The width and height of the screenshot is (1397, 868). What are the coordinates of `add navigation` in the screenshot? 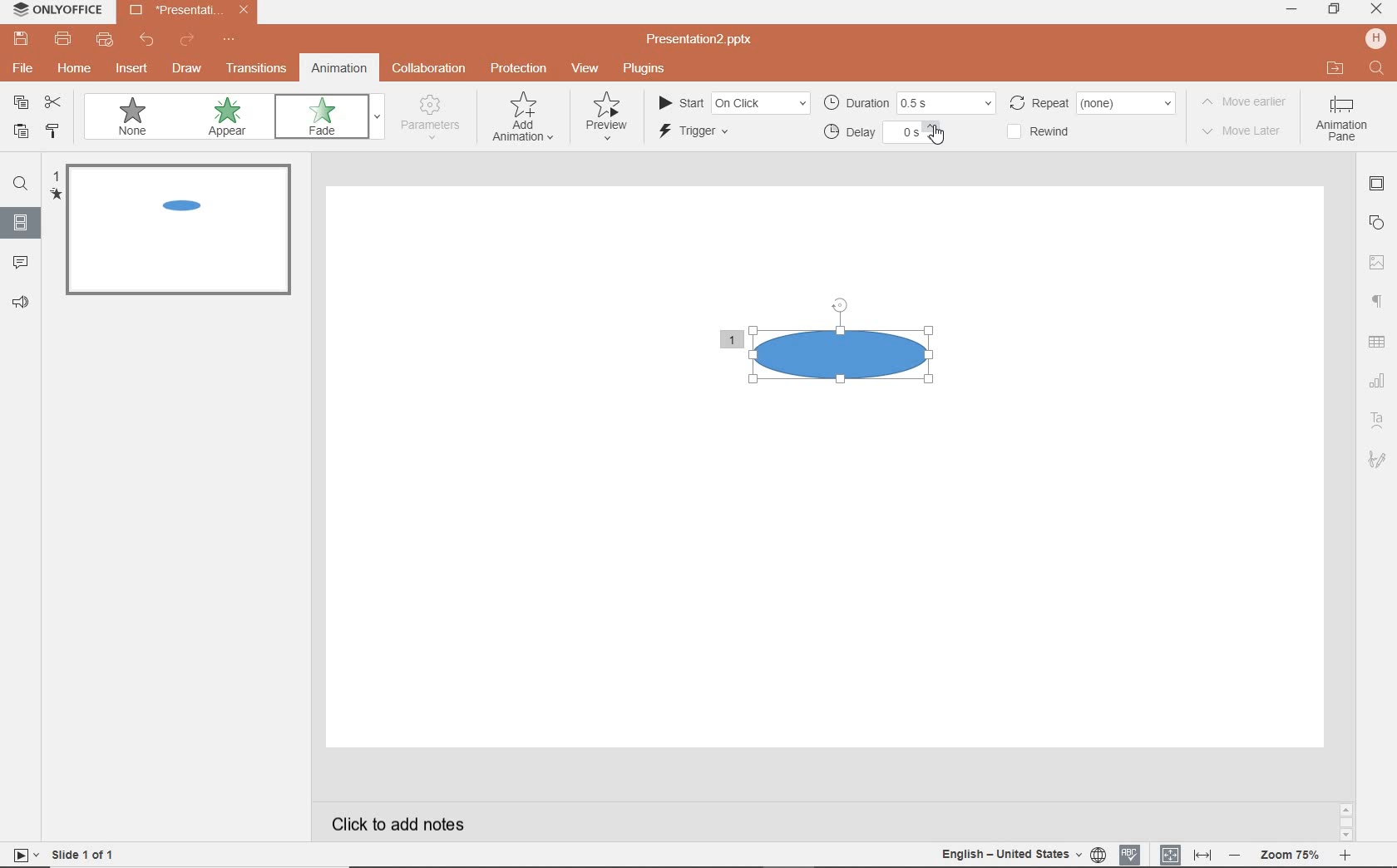 It's located at (525, 117).